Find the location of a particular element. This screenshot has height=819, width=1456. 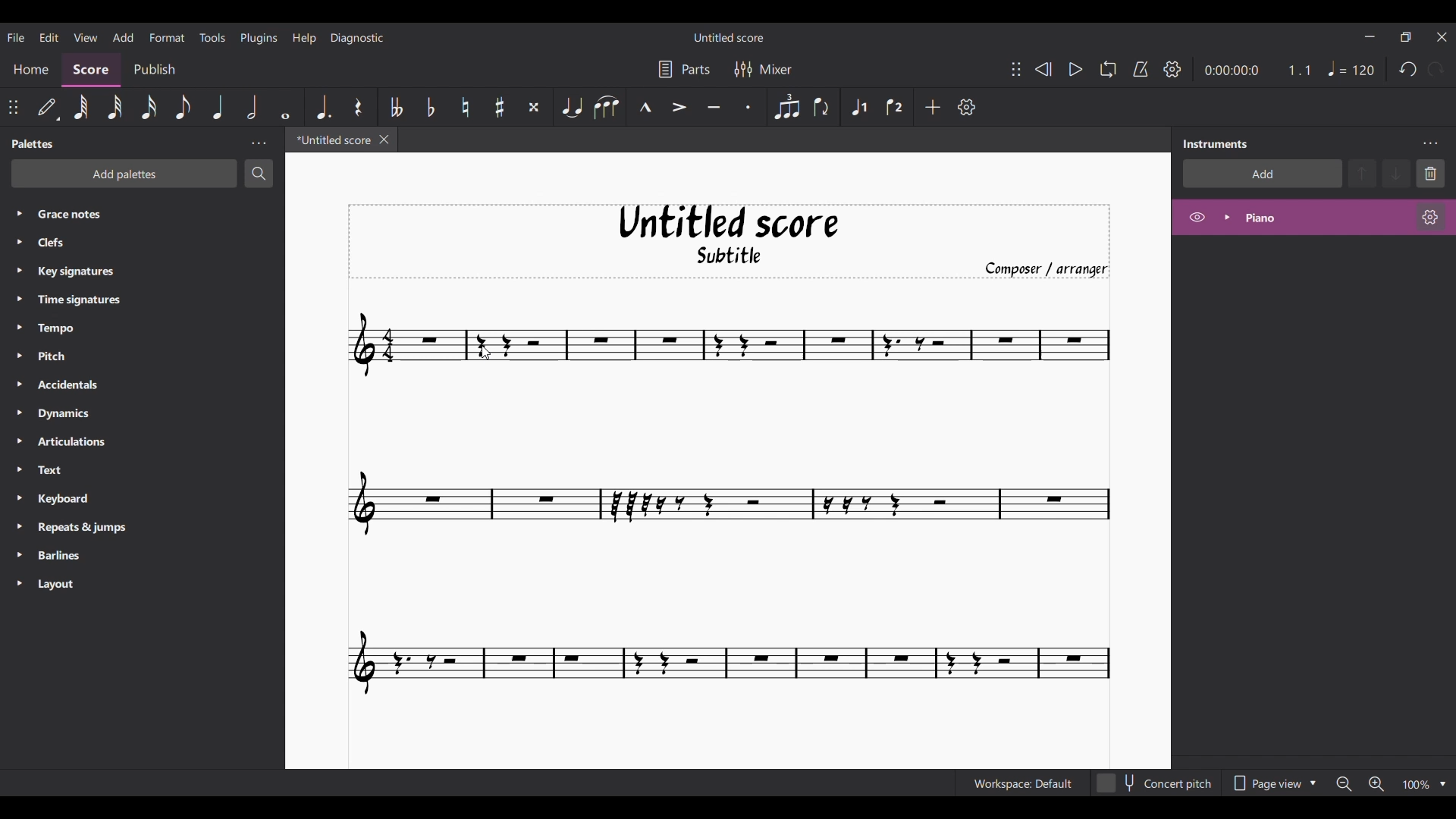

Home section is located at coordinates (31, 69).